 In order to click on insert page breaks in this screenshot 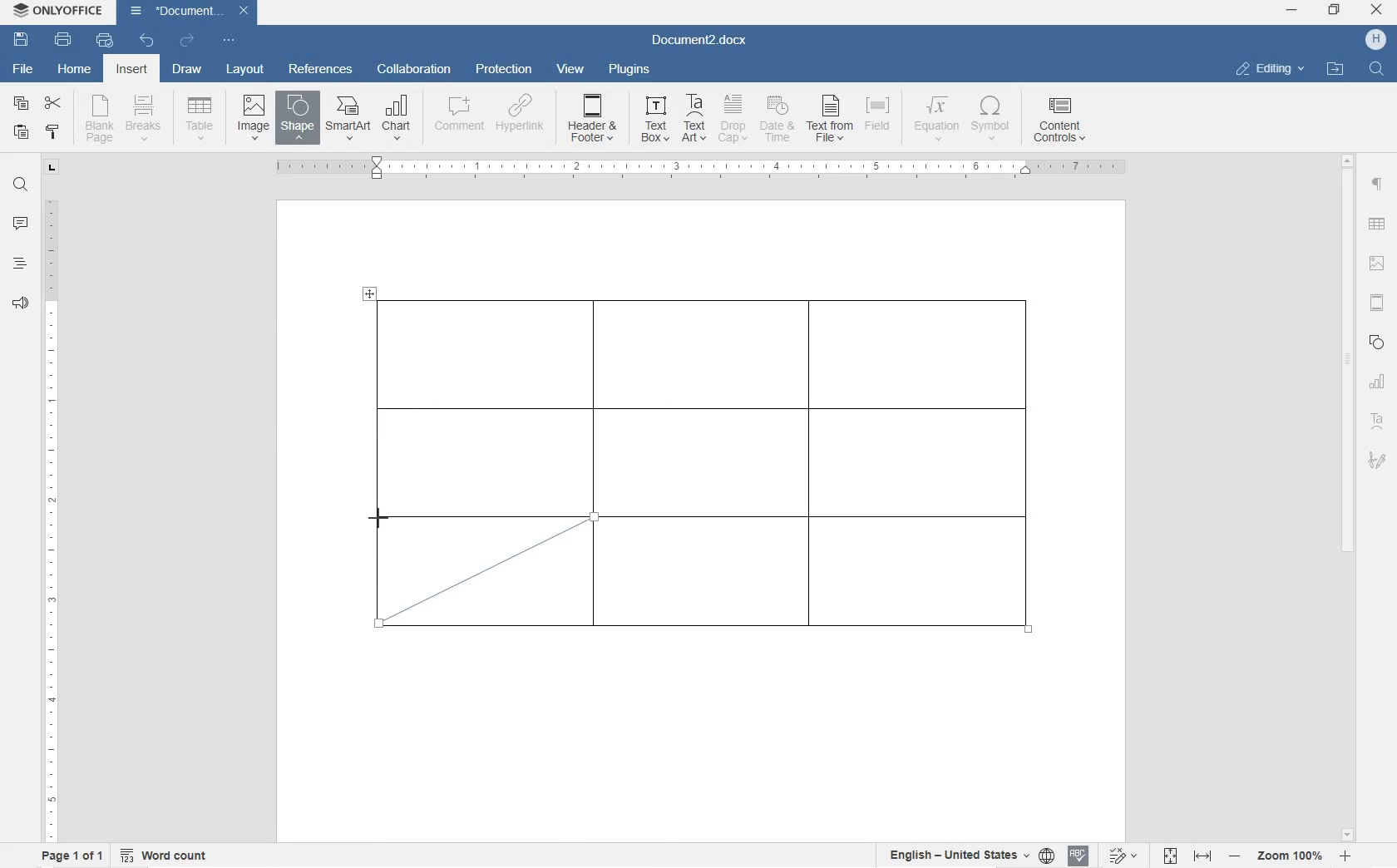, I will do `click(146, 119)`.